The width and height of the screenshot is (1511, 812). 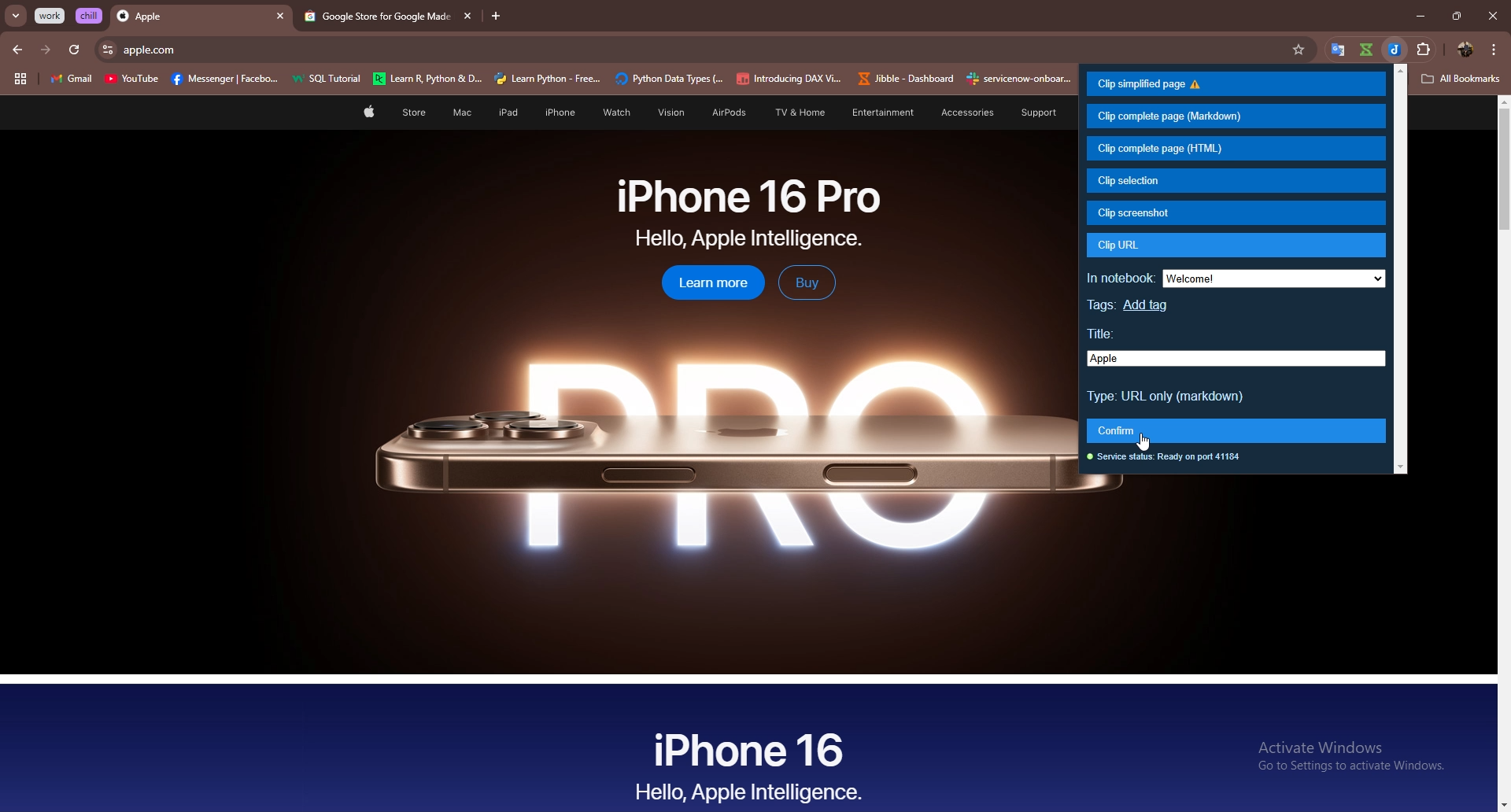 I want to click on close tab, so click(x=280, y=17).